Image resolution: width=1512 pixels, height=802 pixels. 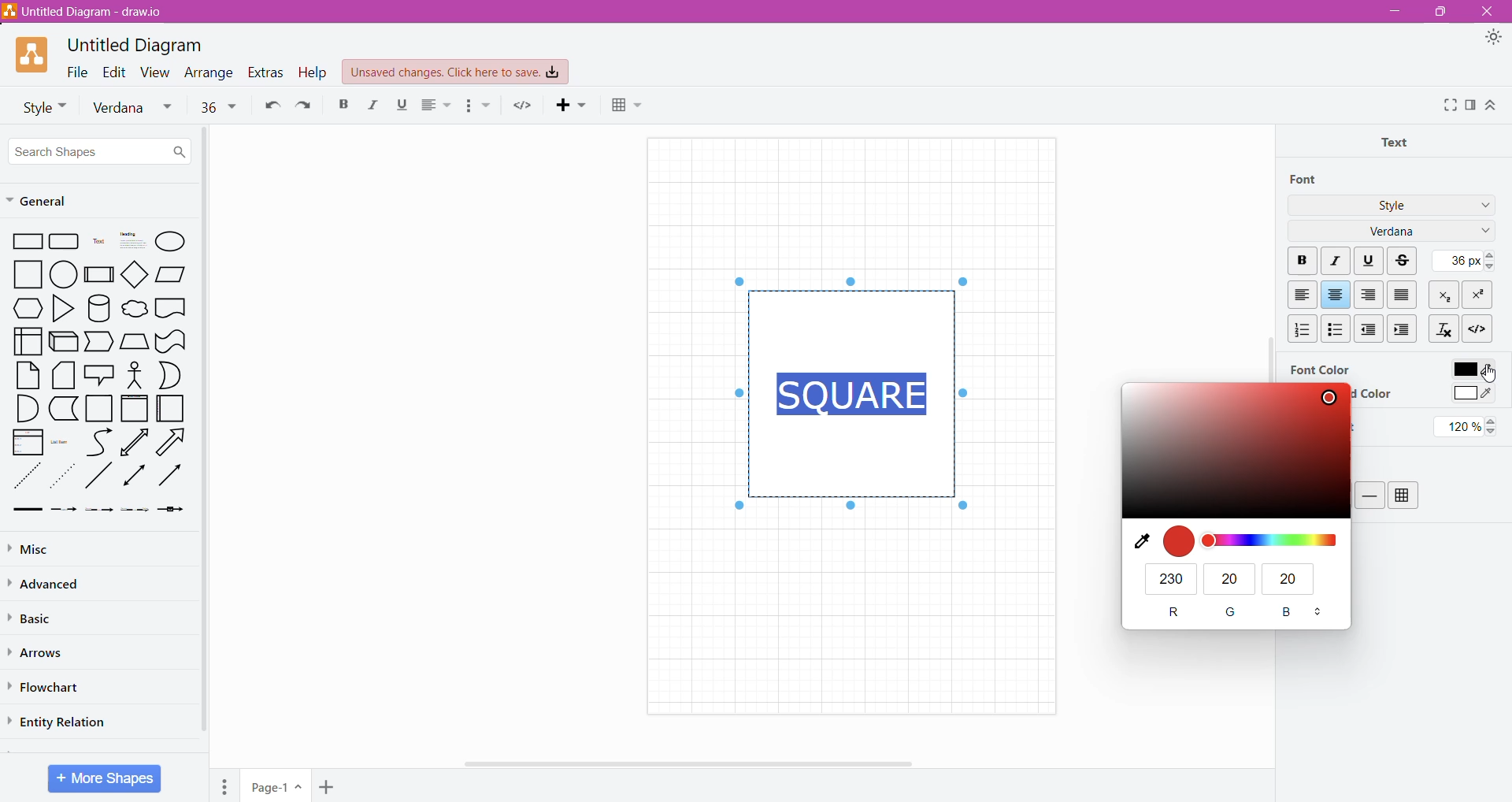 I want to click on Italic, so click(x=373, y=105).